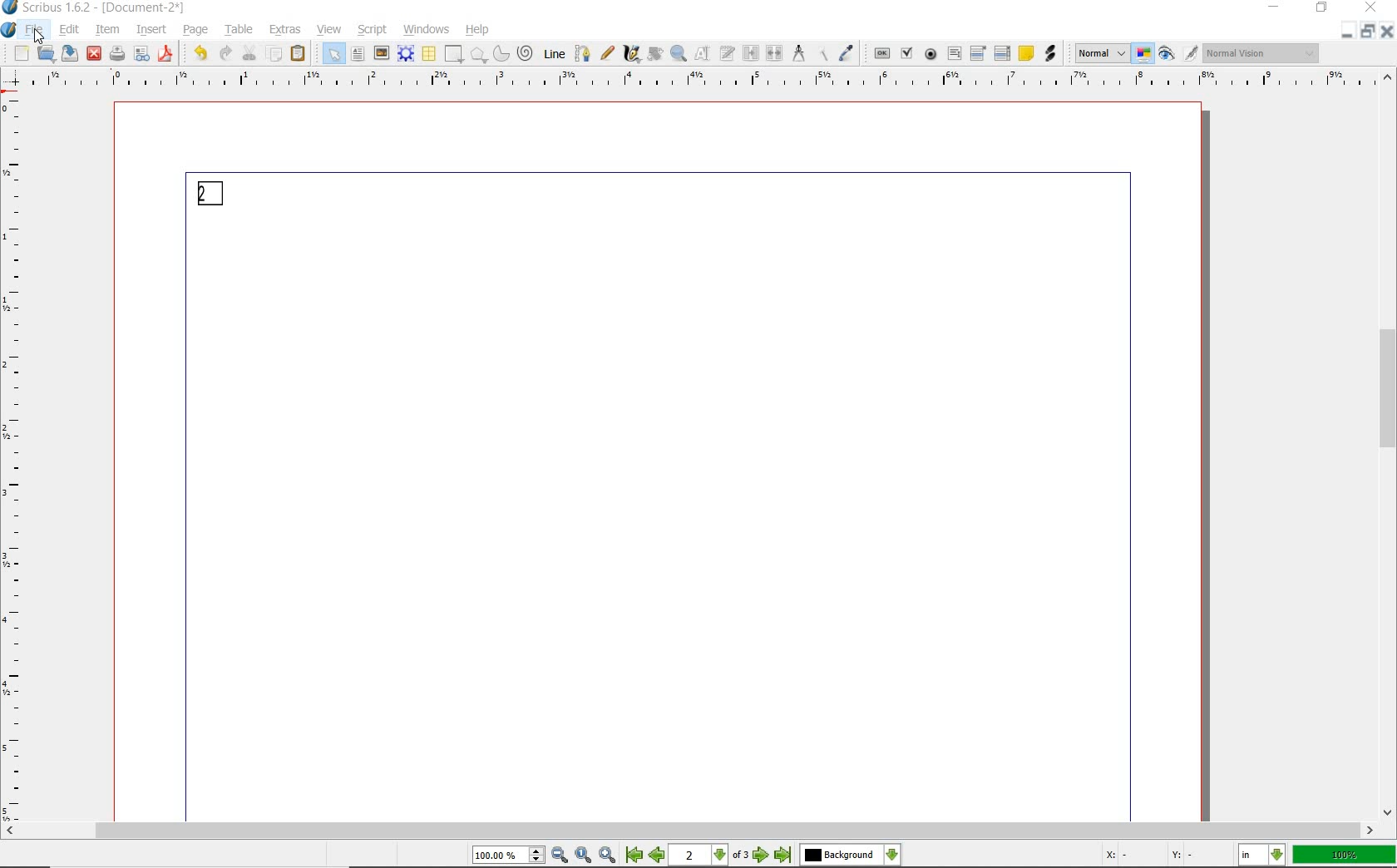 The height and width of the screenshot is (868, 1397). I want to click on 2 of 3, so click(711, 856).